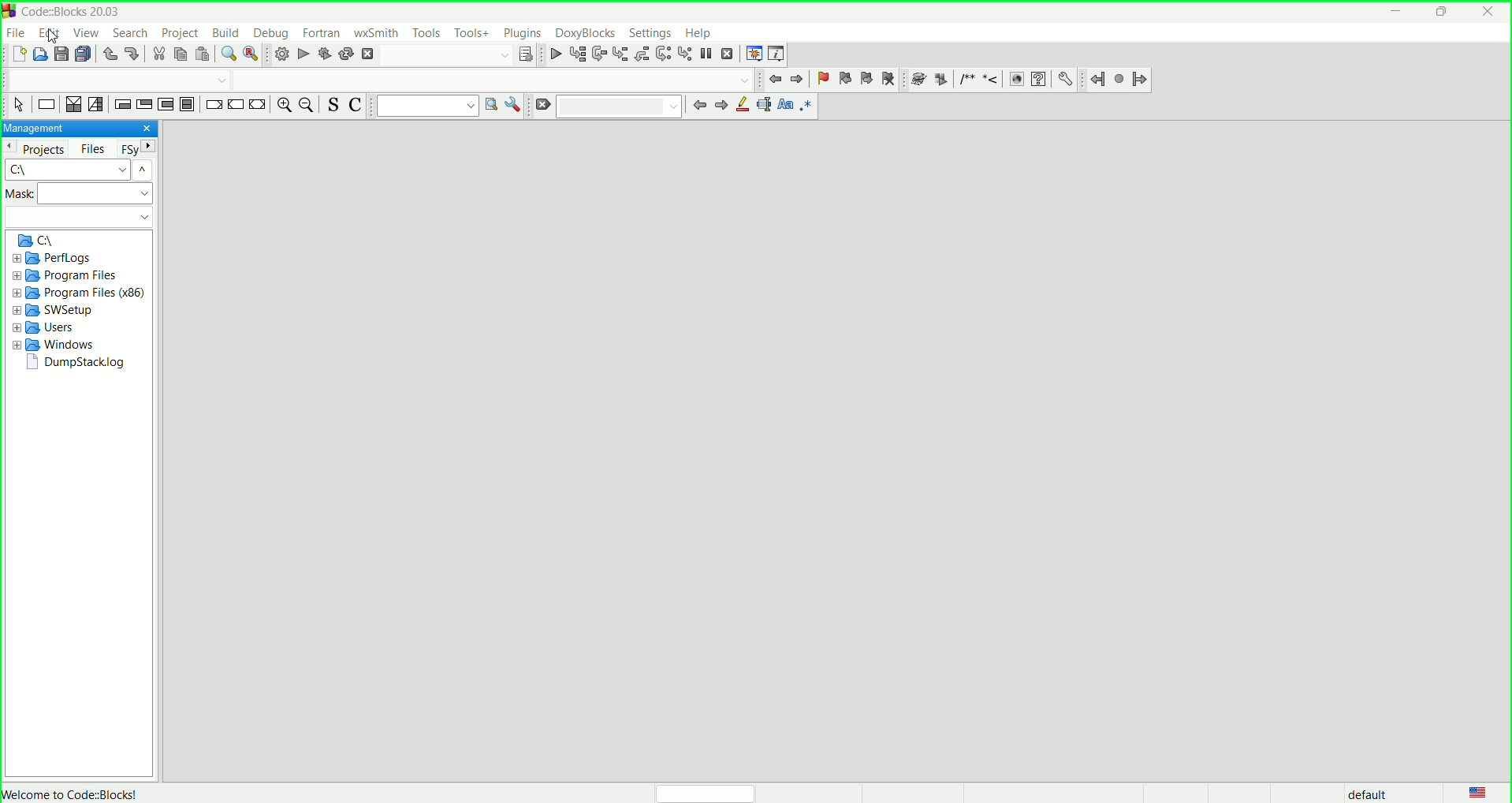 The width and height of the screenshot is (1512, 803). I want to click on run, so click(302, 54).